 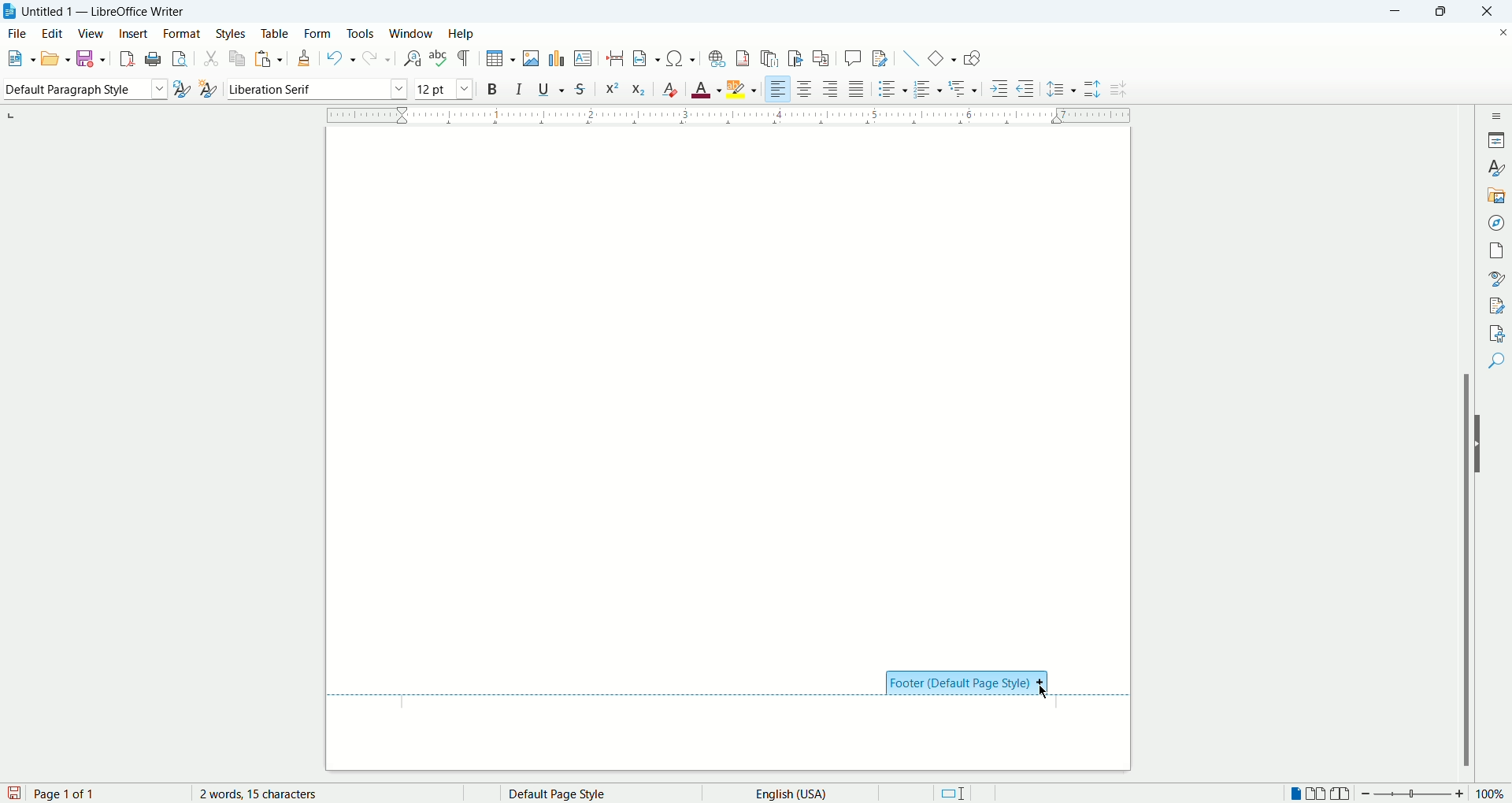 I want to click on page style, so click(x=587, y=794).